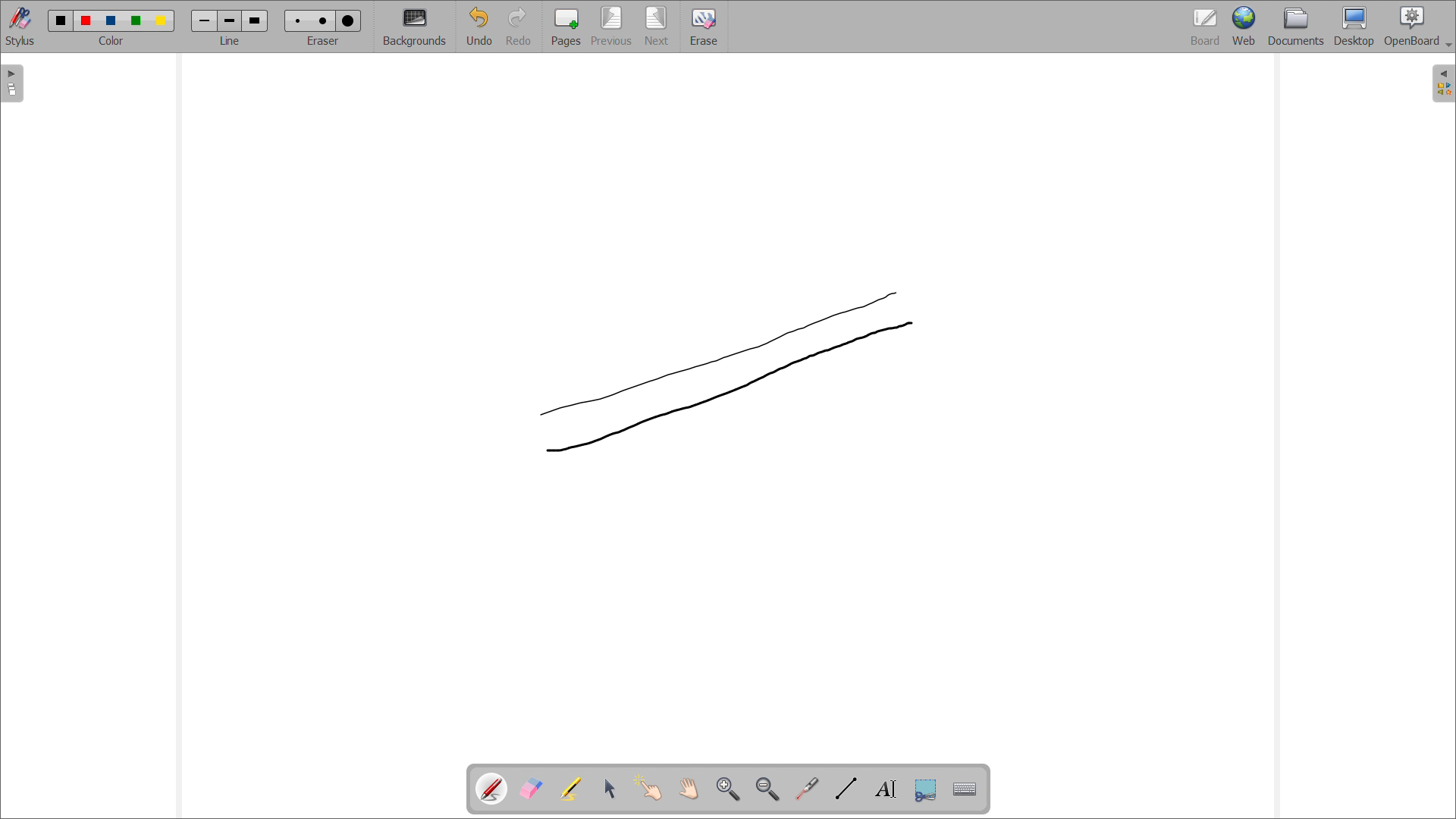  Describe the element at coordinates (88, 20) in the screenshot. I see `color` at that location.